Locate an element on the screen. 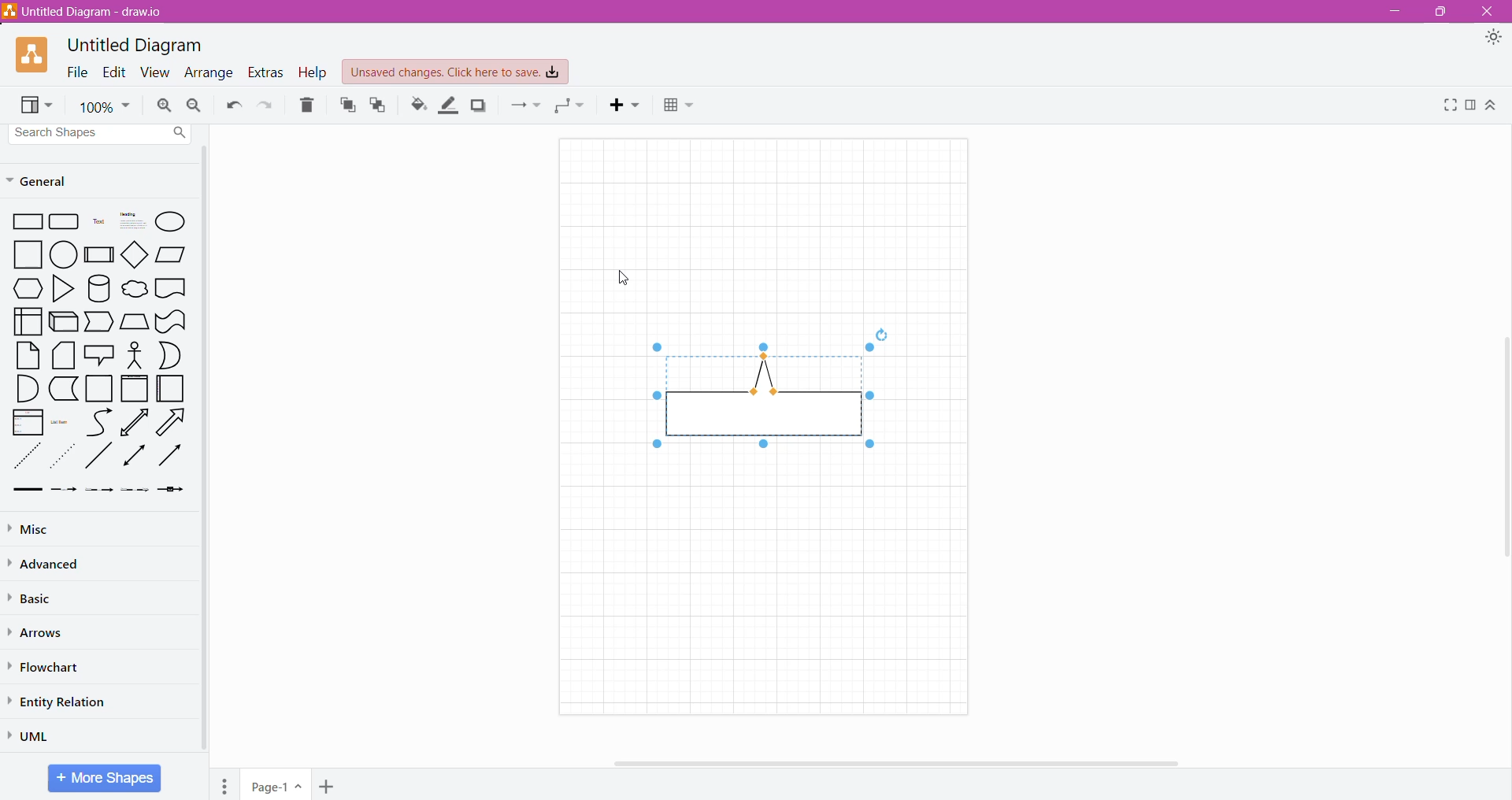 This screenshot has width=1512, height=800. diamond is located at coordinates (134, 254).